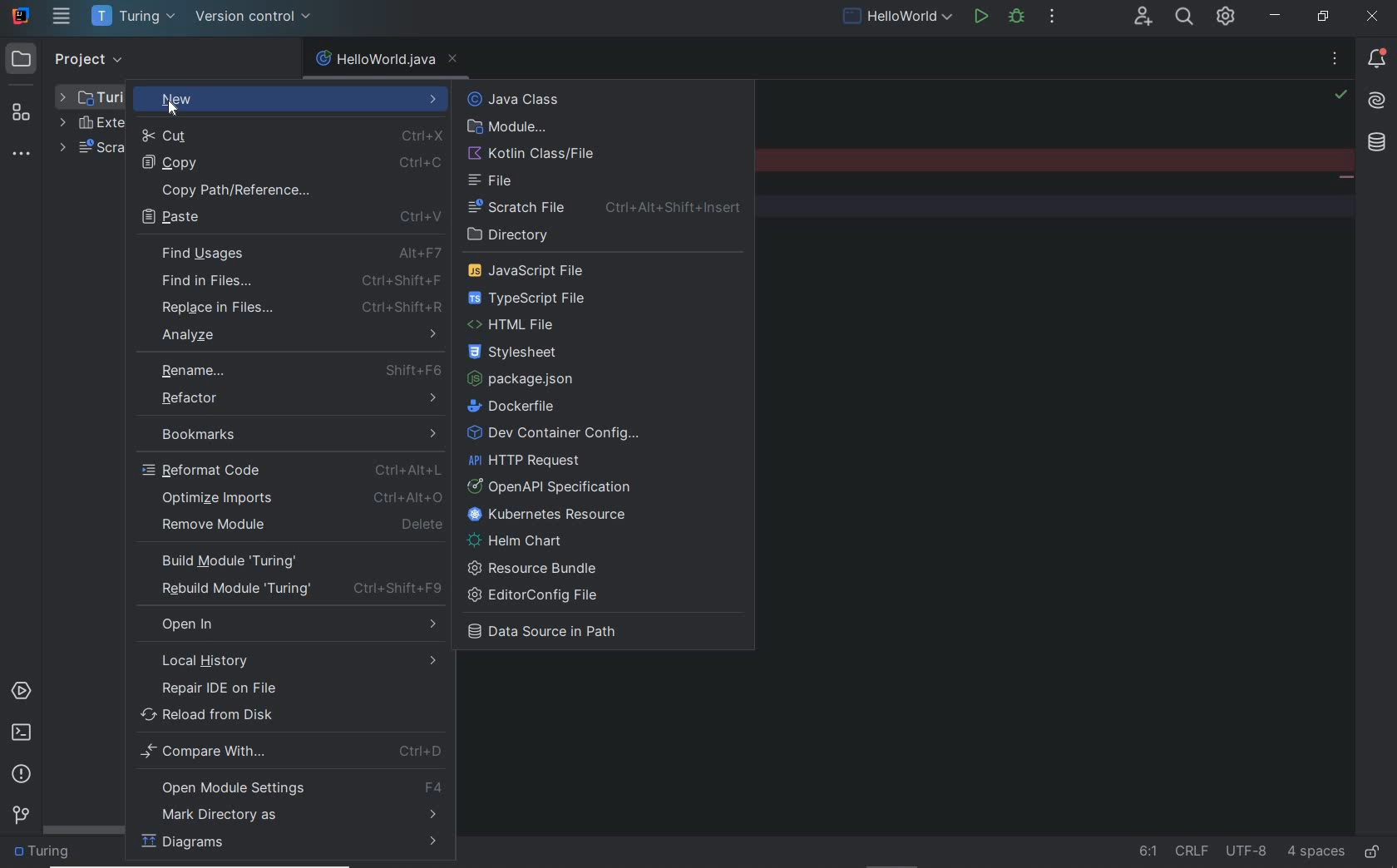  Describe the element at coordinates (298, 280) in the screenshot. I see `find in files` at that location.